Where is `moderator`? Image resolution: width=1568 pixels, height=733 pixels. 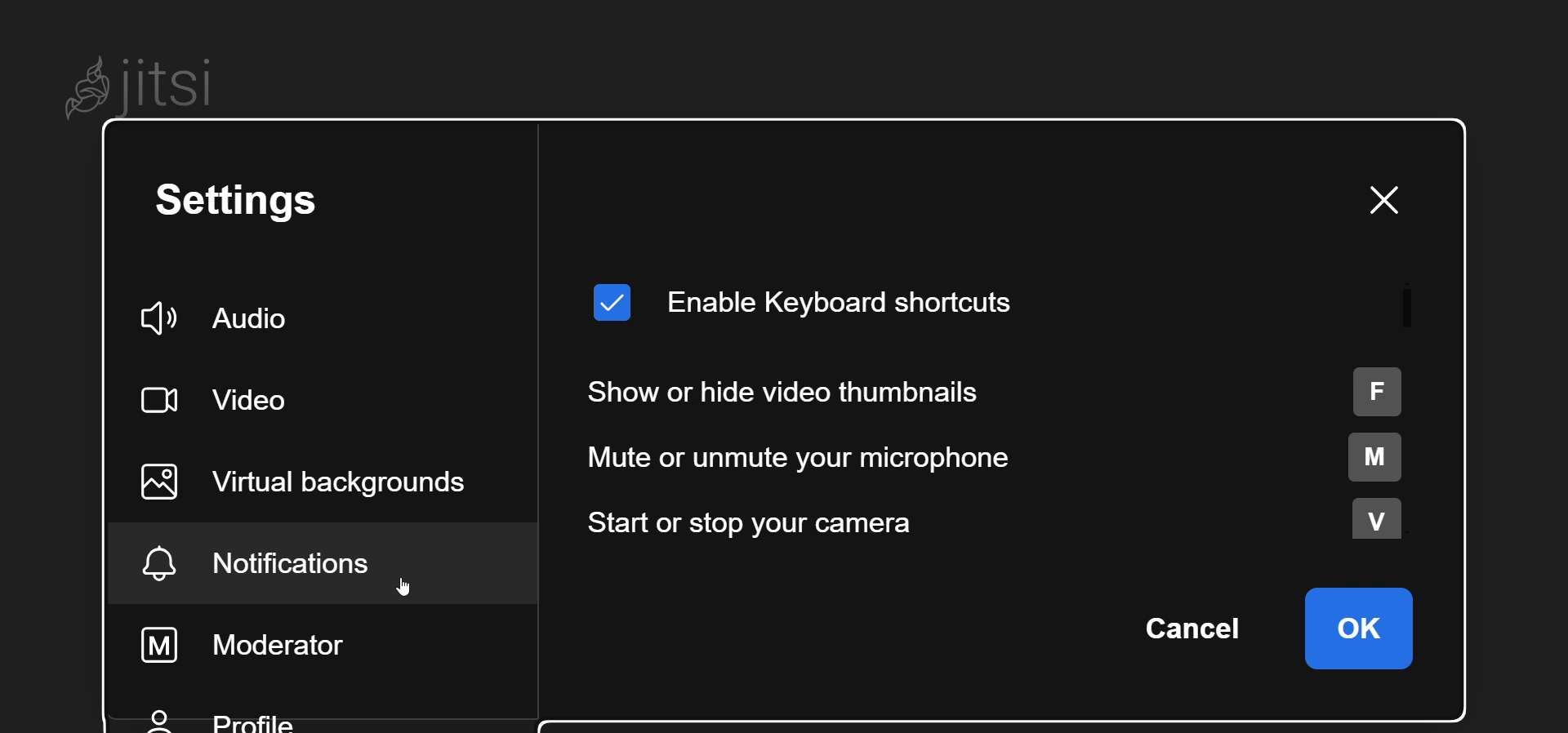 moderator is located at coordinates (249, 642).